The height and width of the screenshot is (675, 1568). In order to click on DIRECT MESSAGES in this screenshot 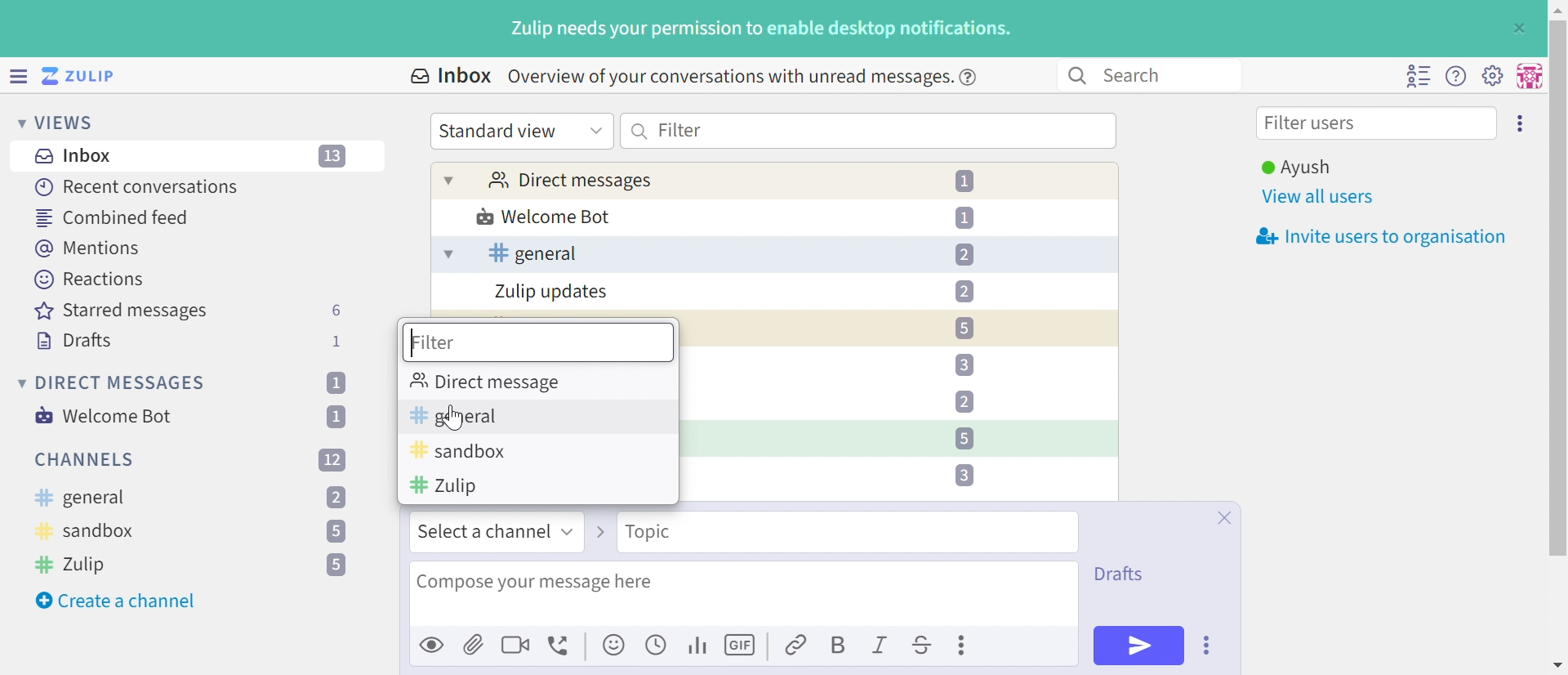, I will do `click(122, 383)`.